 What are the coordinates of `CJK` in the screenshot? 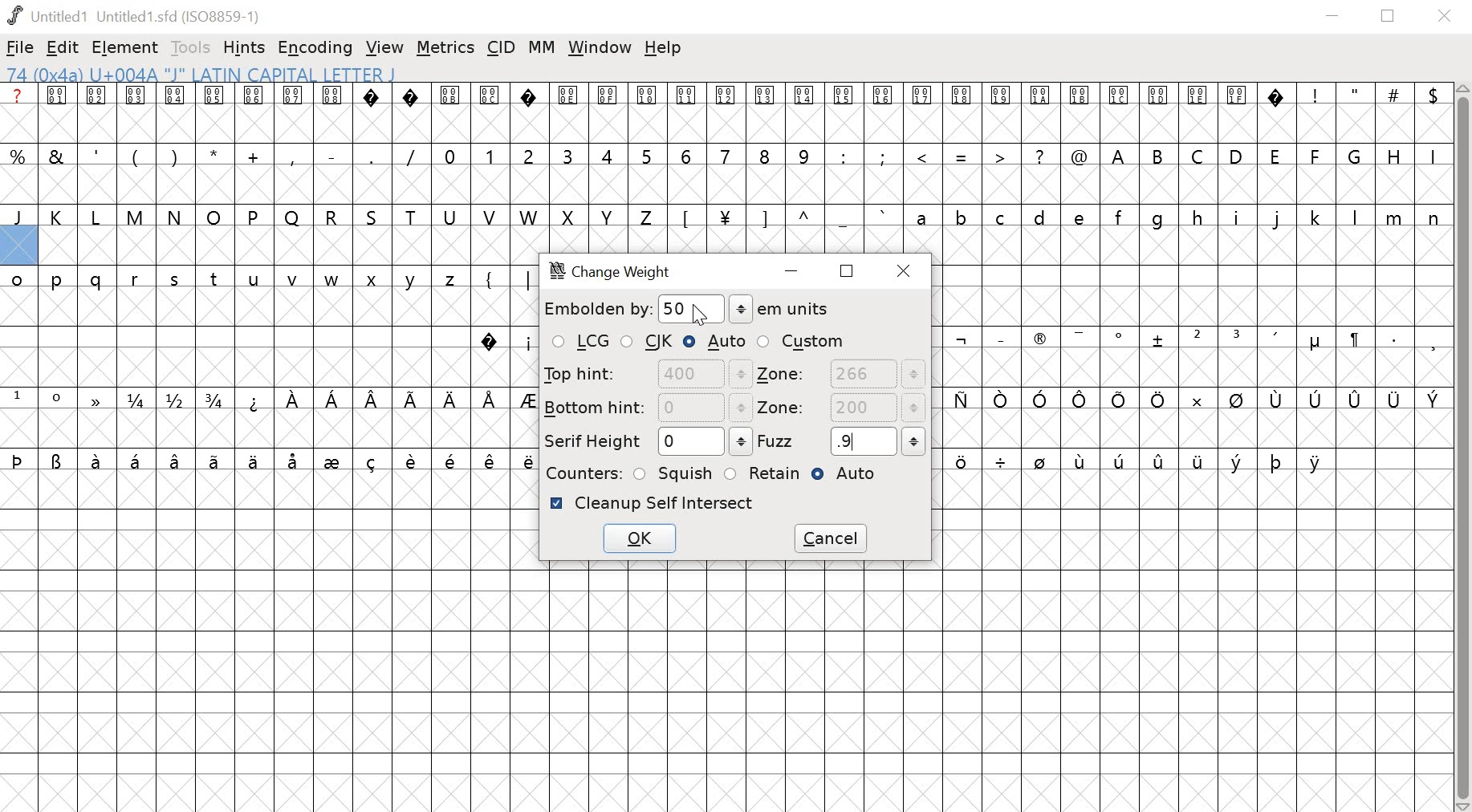 It's located at (649, 343).